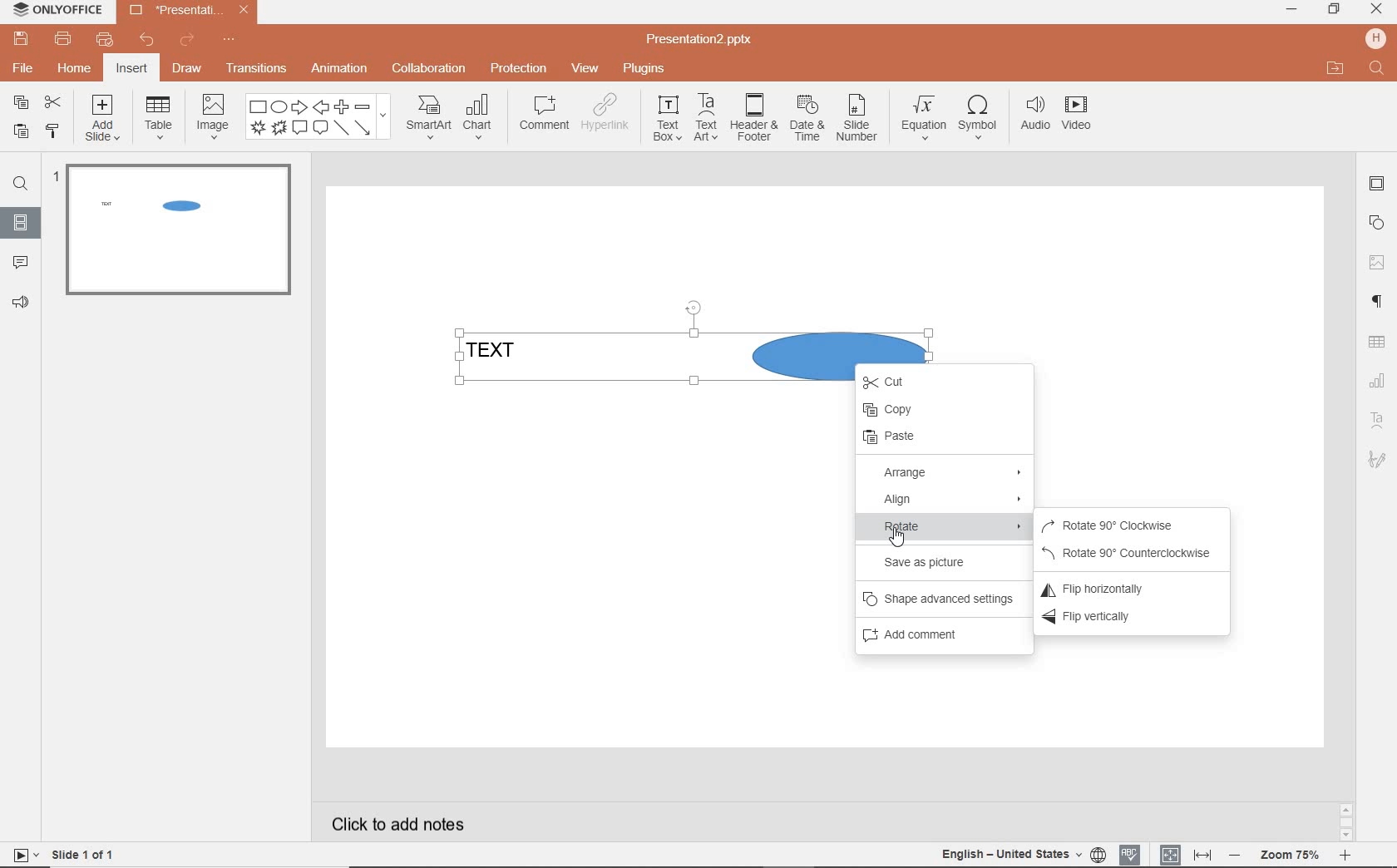 The height and width of the screenshot is (868, 1397). What do you see at coordinates (947, 528) in the screenshot?
I see `ROTATE` at bounding box center [947, 528].